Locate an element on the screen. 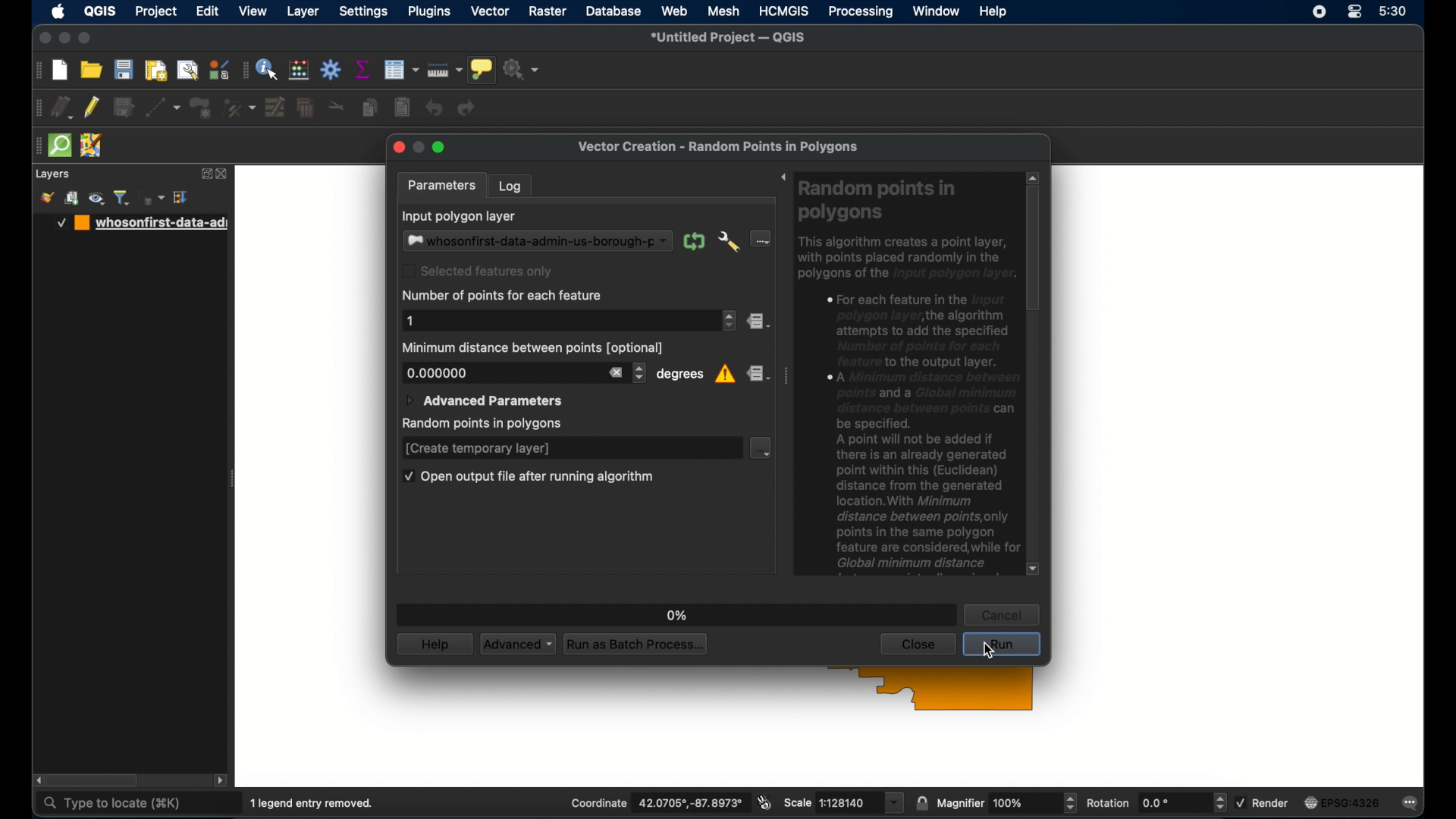  maximize is located at coordinates (86, 38).